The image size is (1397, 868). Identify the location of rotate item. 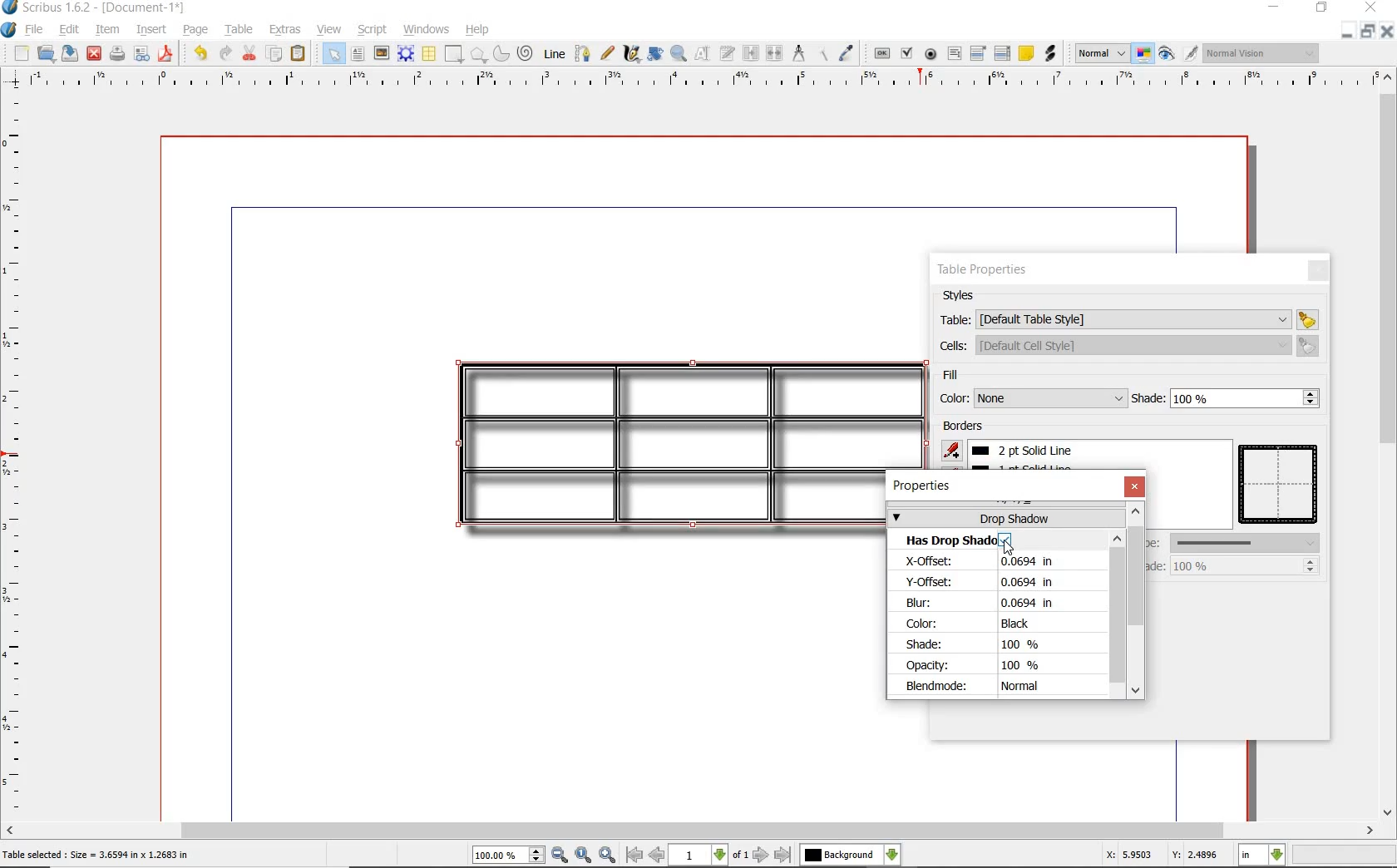
(655, 55).